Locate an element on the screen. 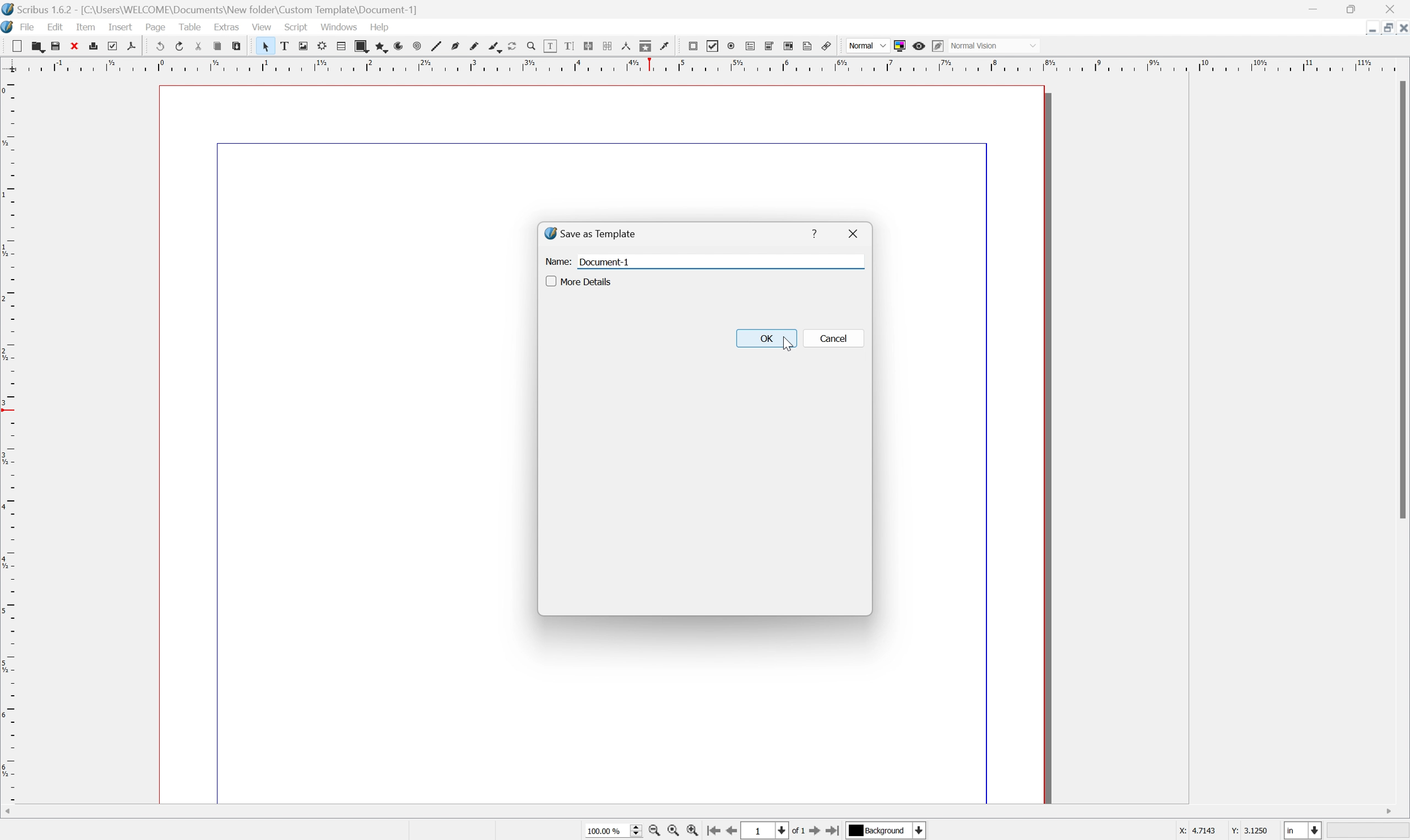 This screenshot has height=840, width=1410. PDF checkbox is located at coordinates (712, 46).